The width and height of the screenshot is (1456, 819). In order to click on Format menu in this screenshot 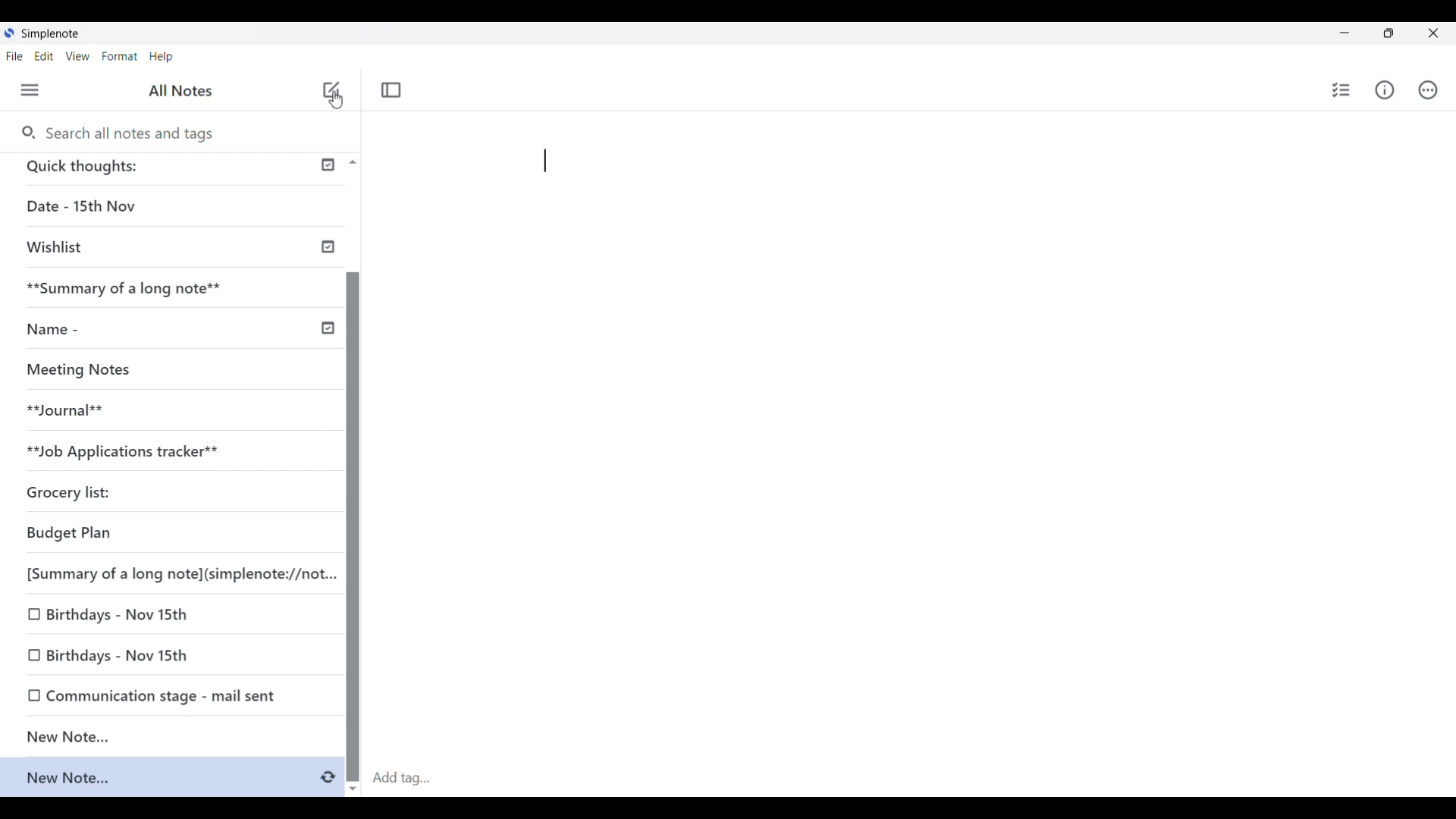, I will do `click(121, 57)`.